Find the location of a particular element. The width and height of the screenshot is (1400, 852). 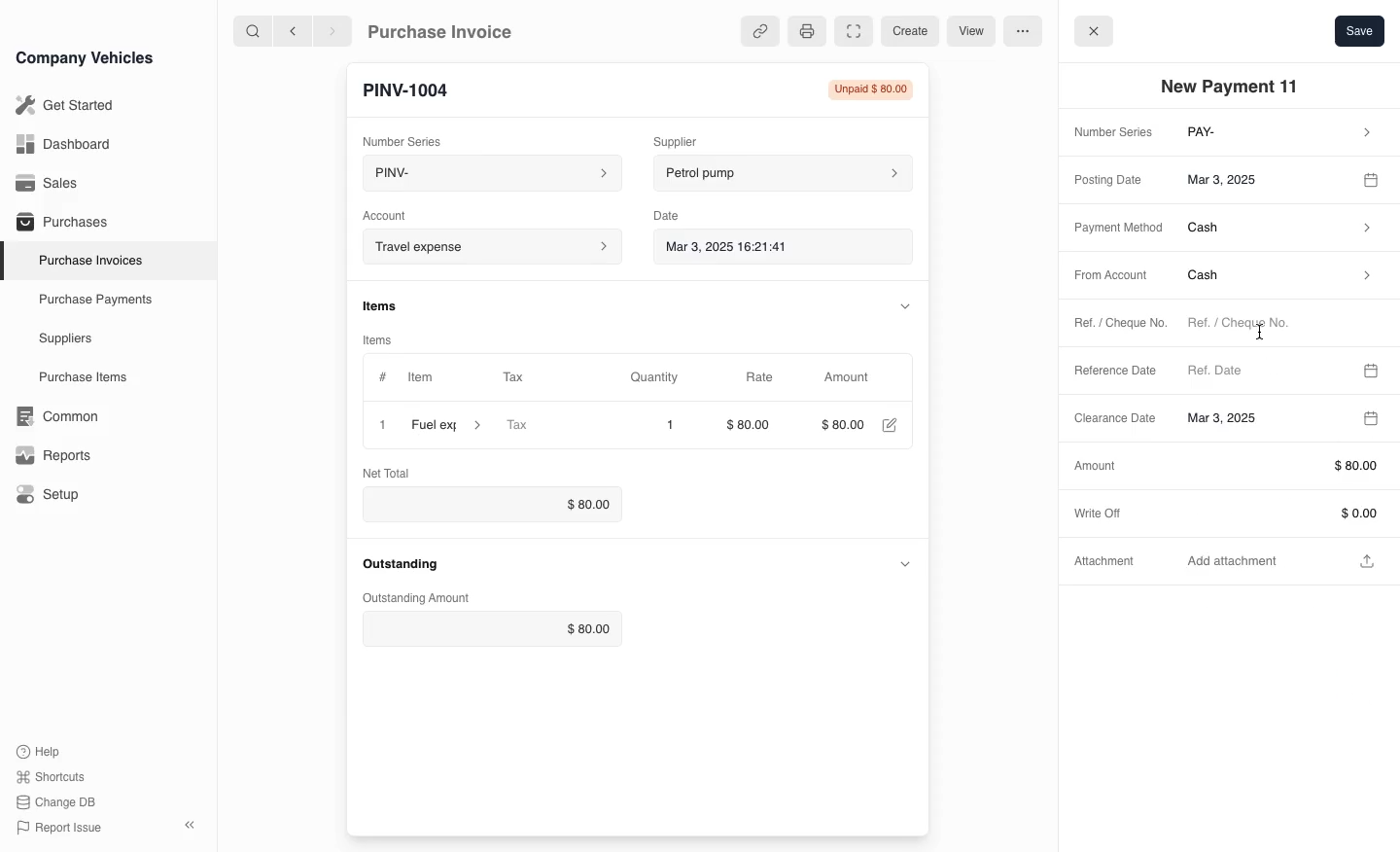

Net Total is located at coordinates (390, 472).